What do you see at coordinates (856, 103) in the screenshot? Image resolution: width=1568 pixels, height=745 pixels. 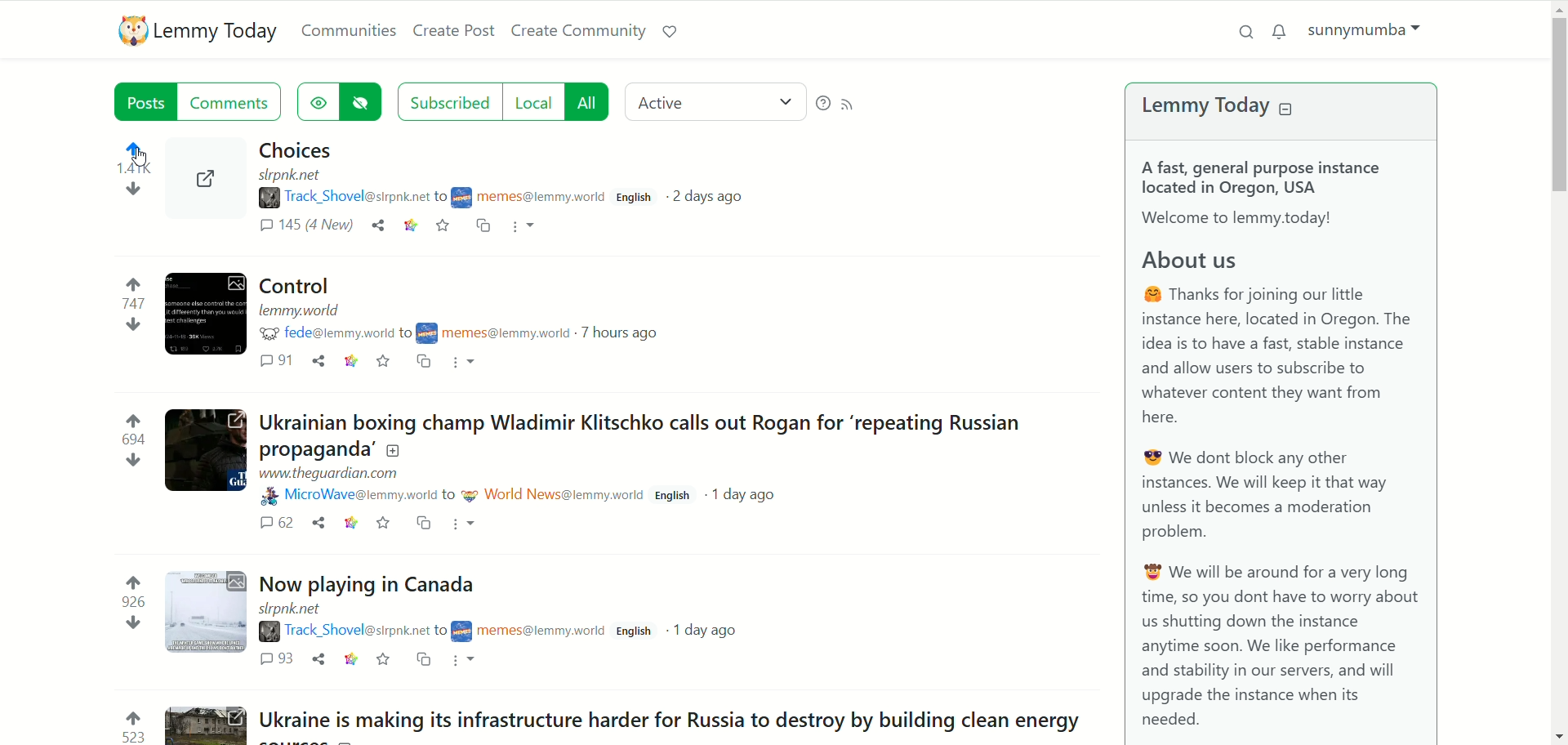 I see `RSS` at bounding box center [856, 103].